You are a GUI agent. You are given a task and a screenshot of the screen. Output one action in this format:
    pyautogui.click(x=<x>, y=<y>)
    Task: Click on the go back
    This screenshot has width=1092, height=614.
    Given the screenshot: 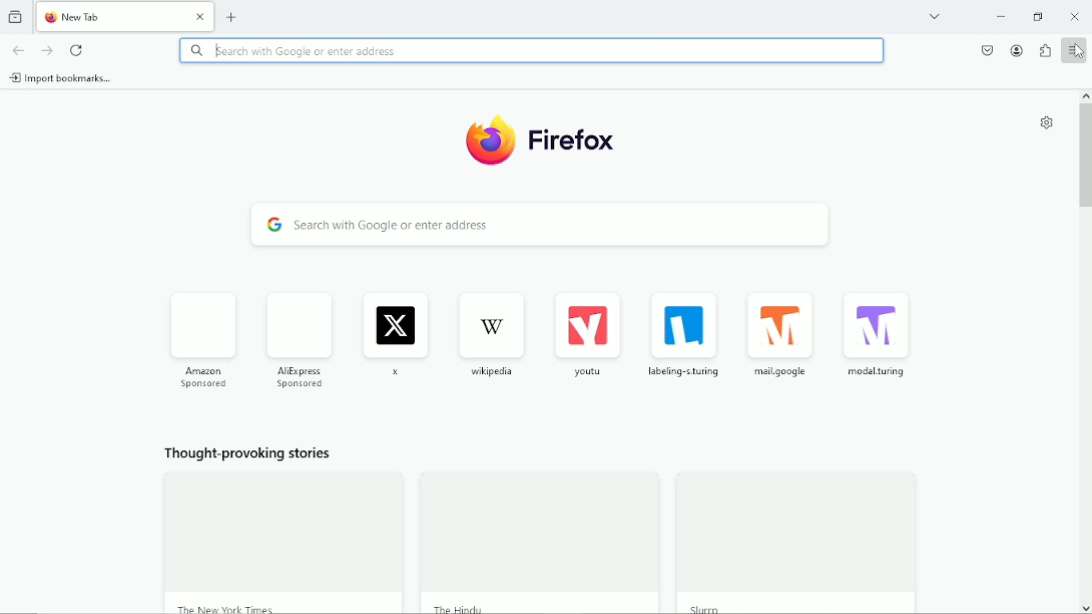 What is the action you would take?
    pyautogui.click(x=19, y=50)
    